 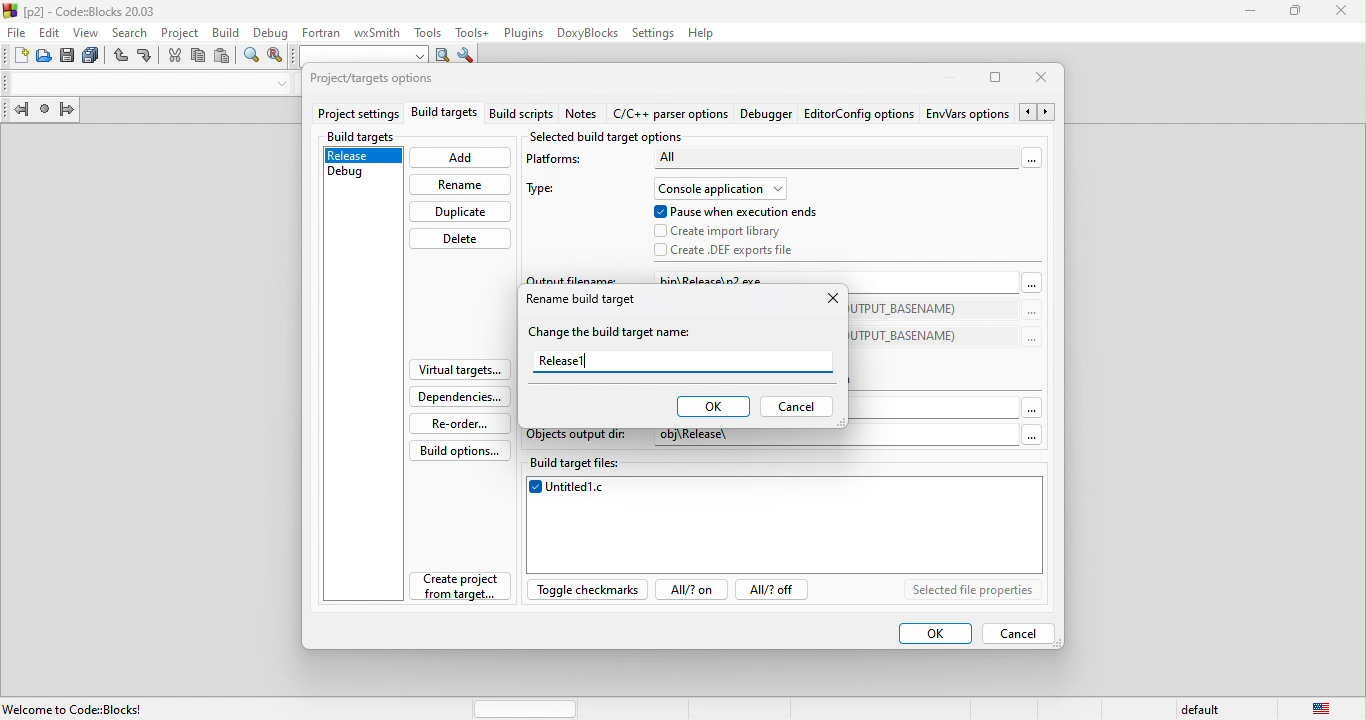 What do you see at coordinates (521, 33) in the screenshot?
I see `plugins` at bounding box center [521, 33].